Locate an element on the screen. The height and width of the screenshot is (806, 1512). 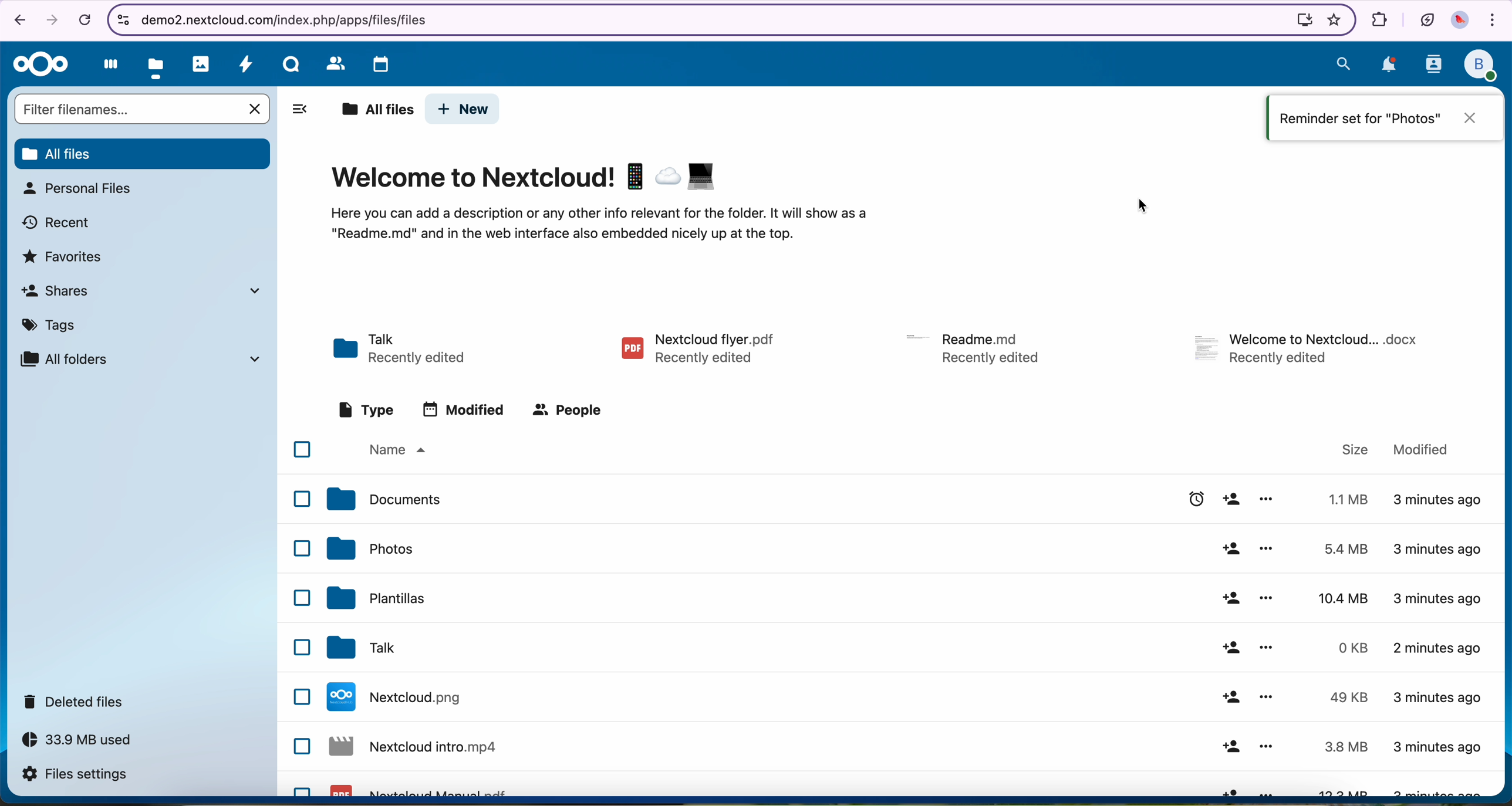
URL is located at coordinates (293, 19).